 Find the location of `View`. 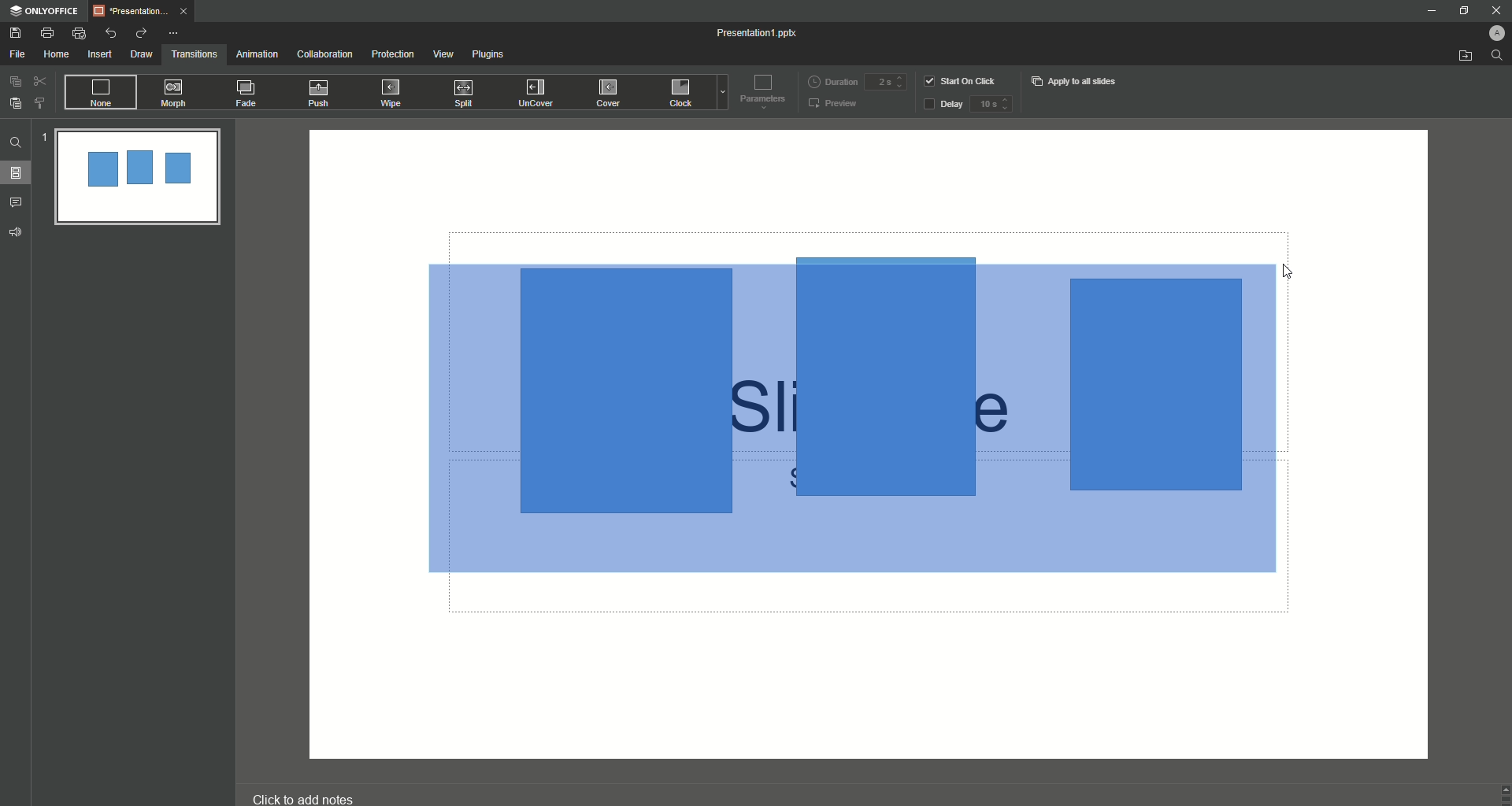

View is located at coordinates (443, 54).